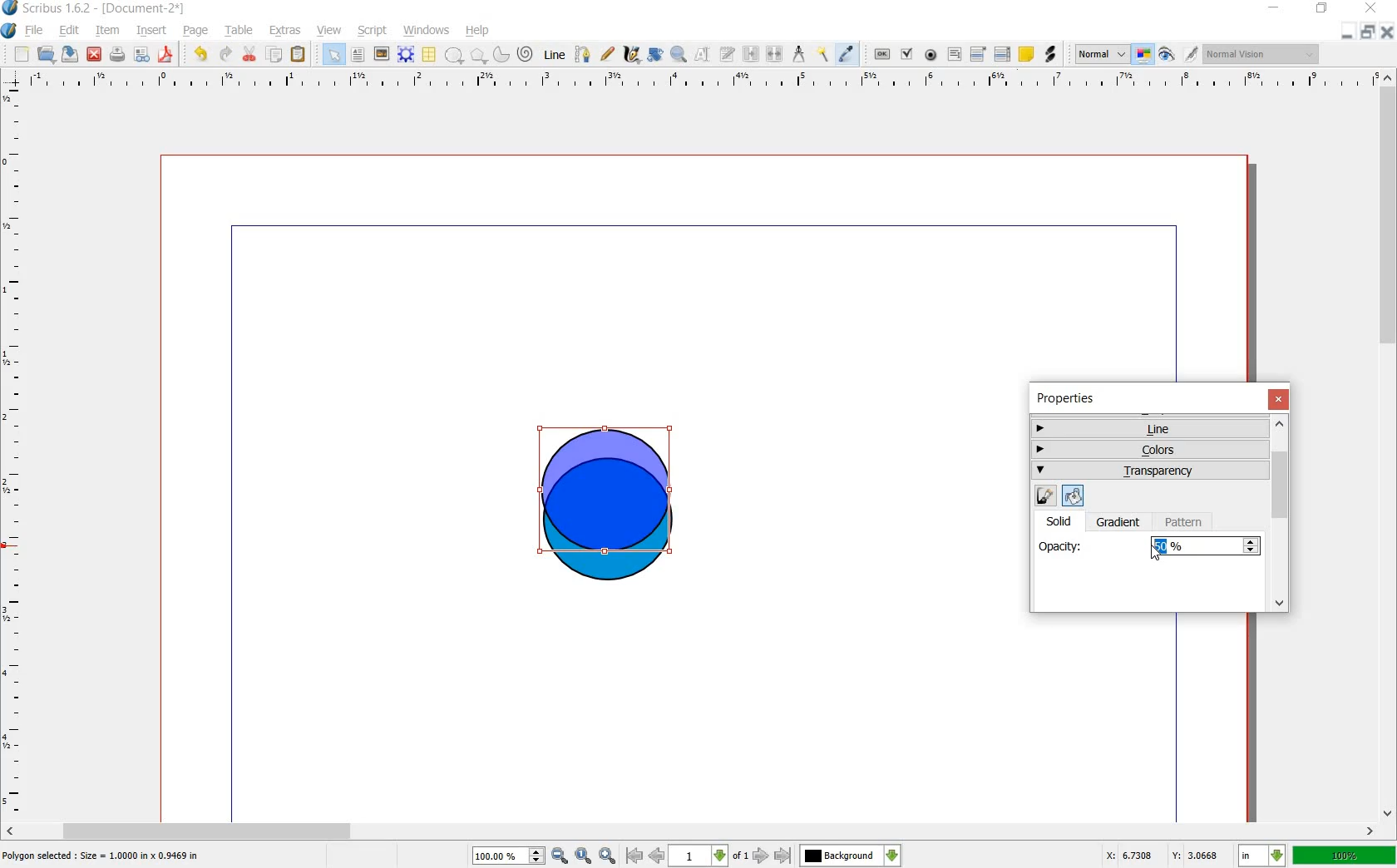 The image size is (1397, 868). I want to click on text frame, so click(358, 55).